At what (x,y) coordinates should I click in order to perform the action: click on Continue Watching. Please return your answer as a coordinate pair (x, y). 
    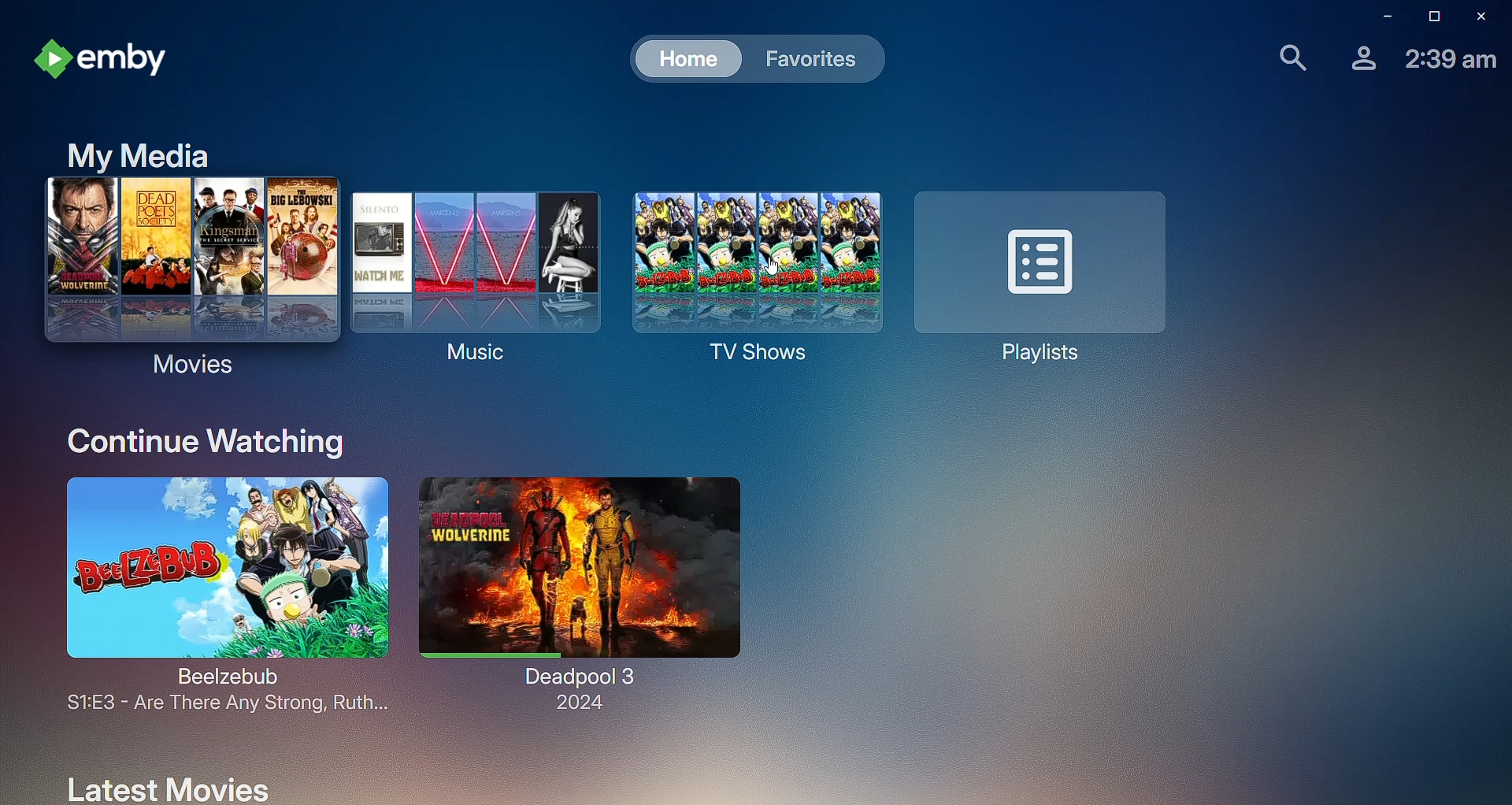
    Looking at the image, I should click on (198, 440).